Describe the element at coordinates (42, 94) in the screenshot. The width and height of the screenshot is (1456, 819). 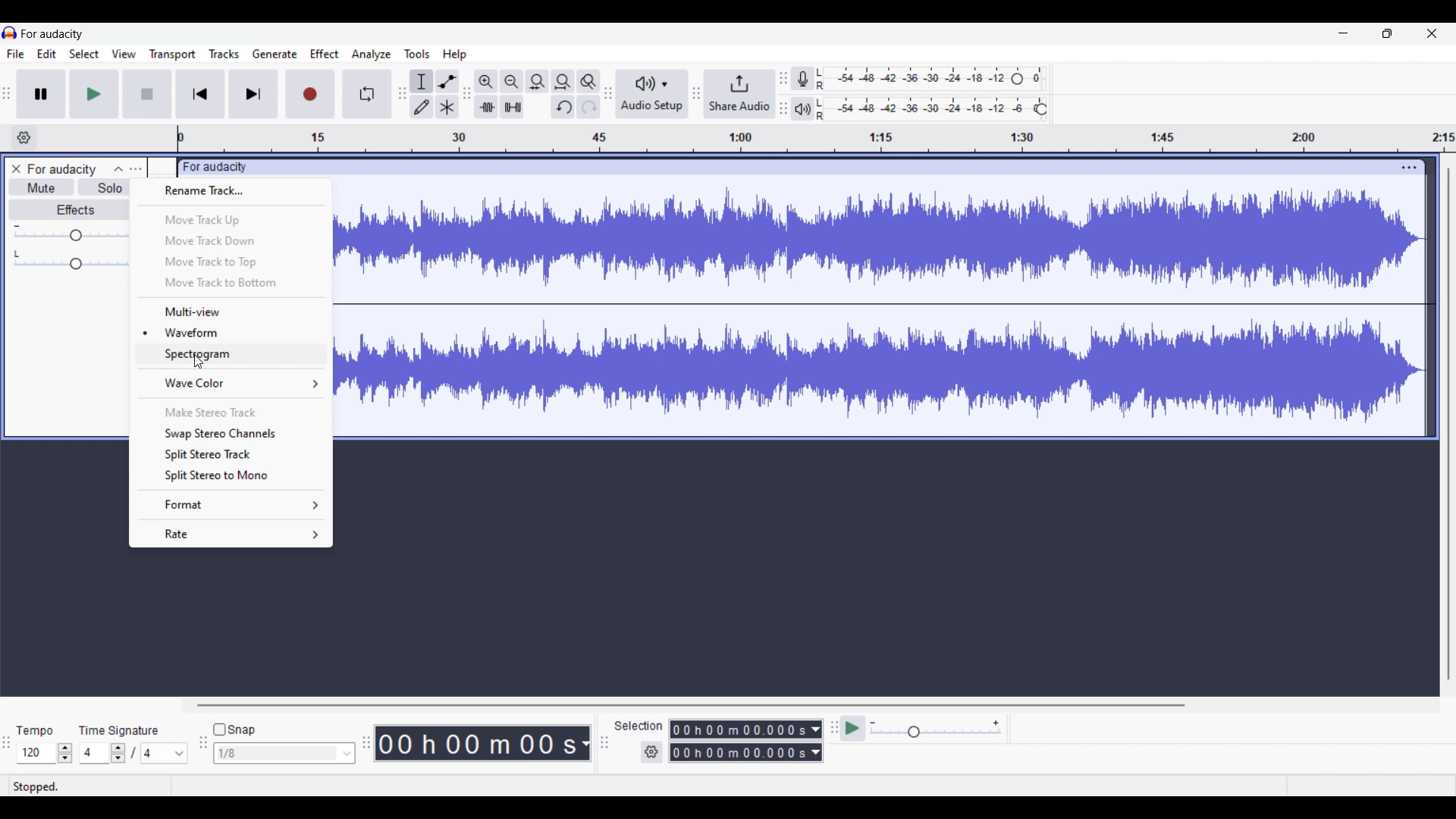
I see `Pause` at that location.